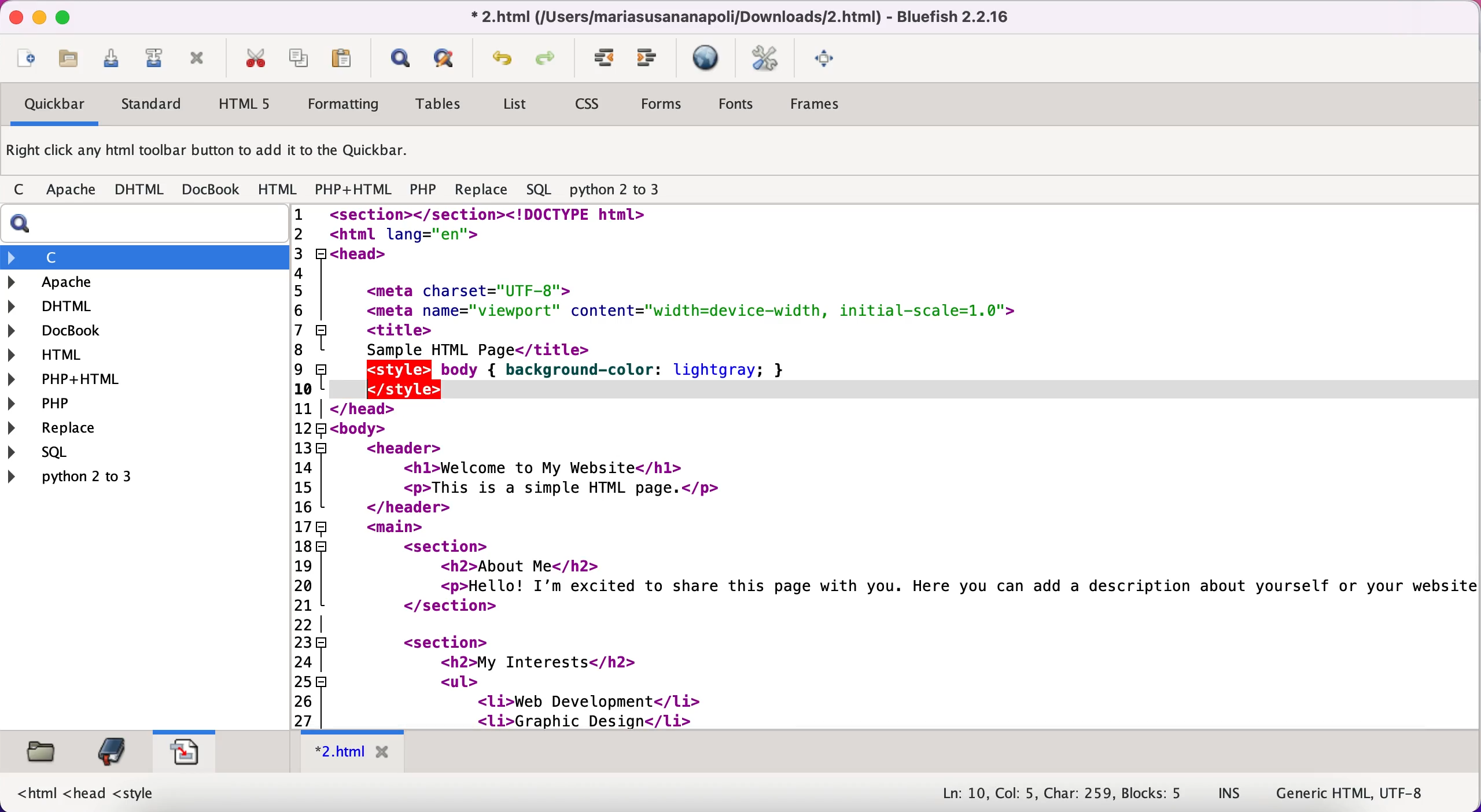 The image size is (1481, 812). I want to click on text cursor , so click(369, 391).